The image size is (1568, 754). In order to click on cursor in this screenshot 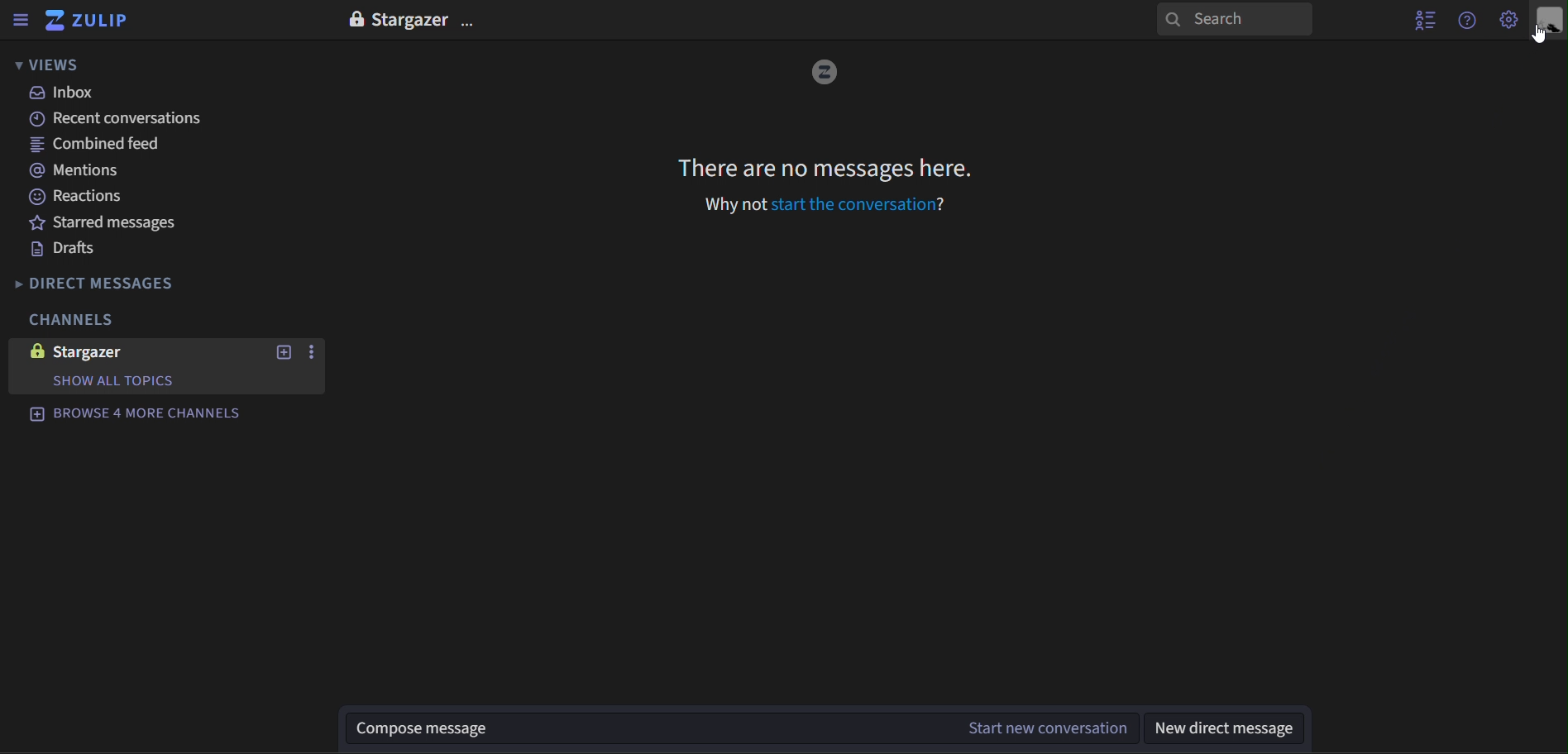, I will do `click(1542, 35)`.